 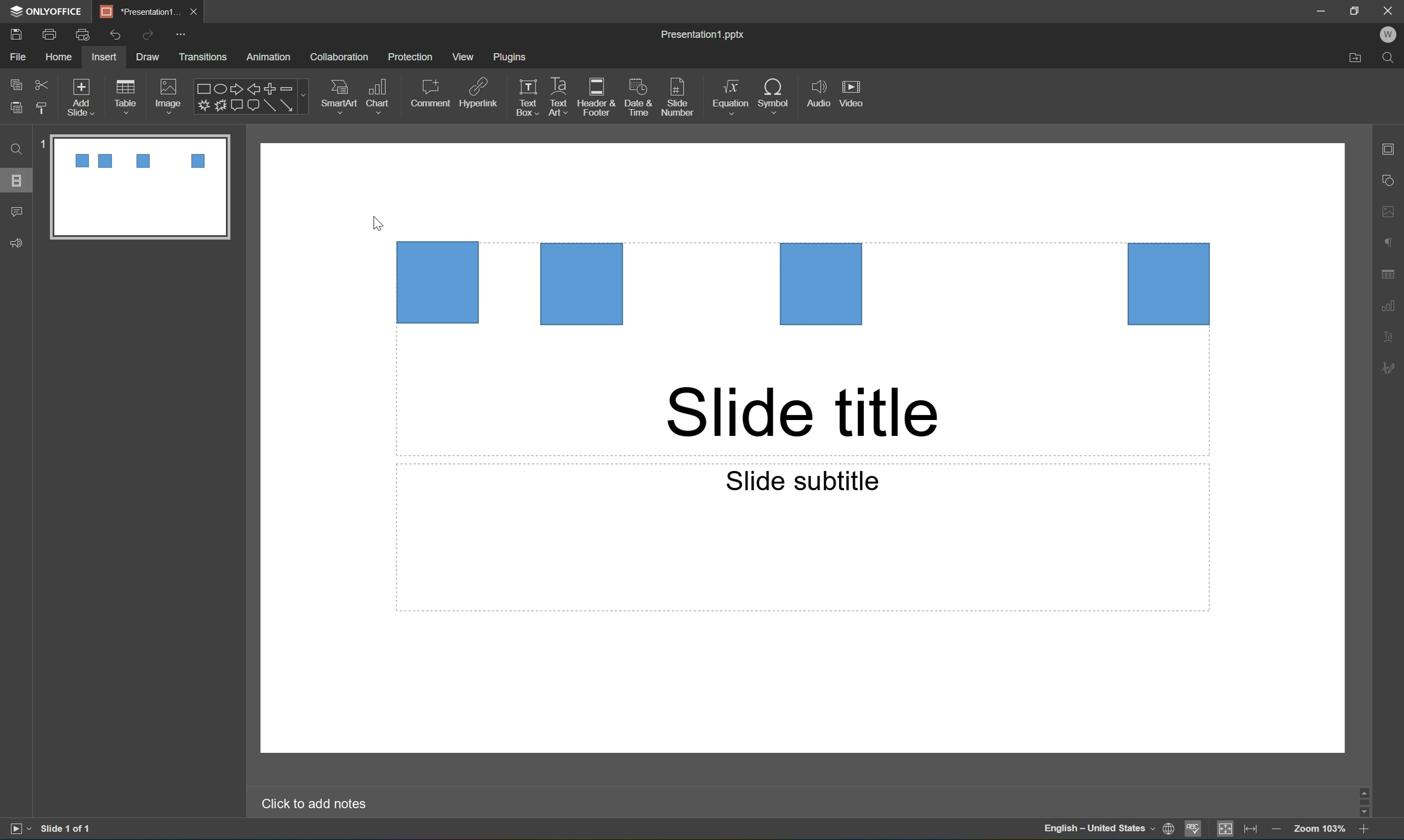 I want to click on copy, so click(x=15, y=83).